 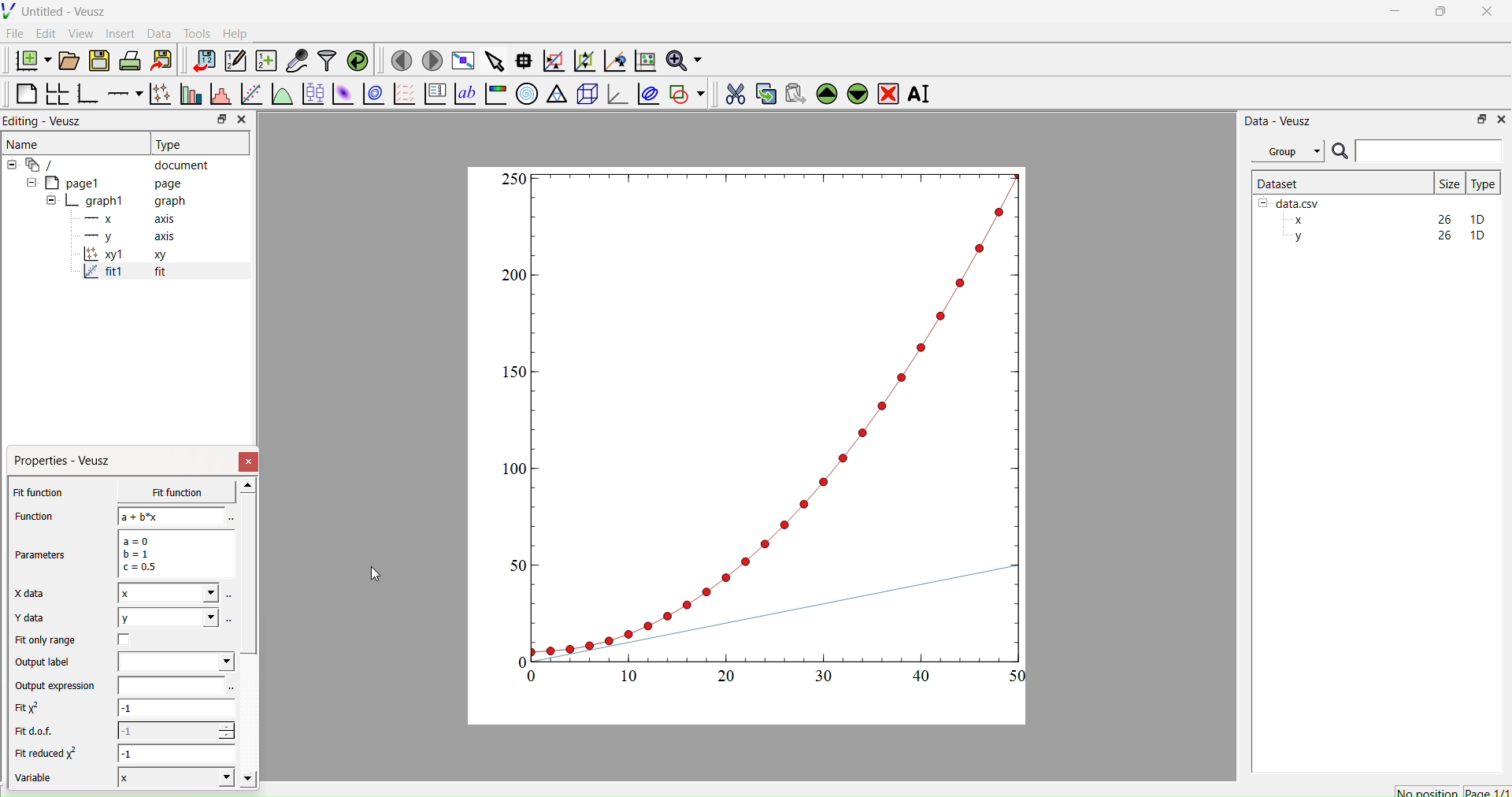 I want to click on Plot bar charts, so click(x=189, y=95).